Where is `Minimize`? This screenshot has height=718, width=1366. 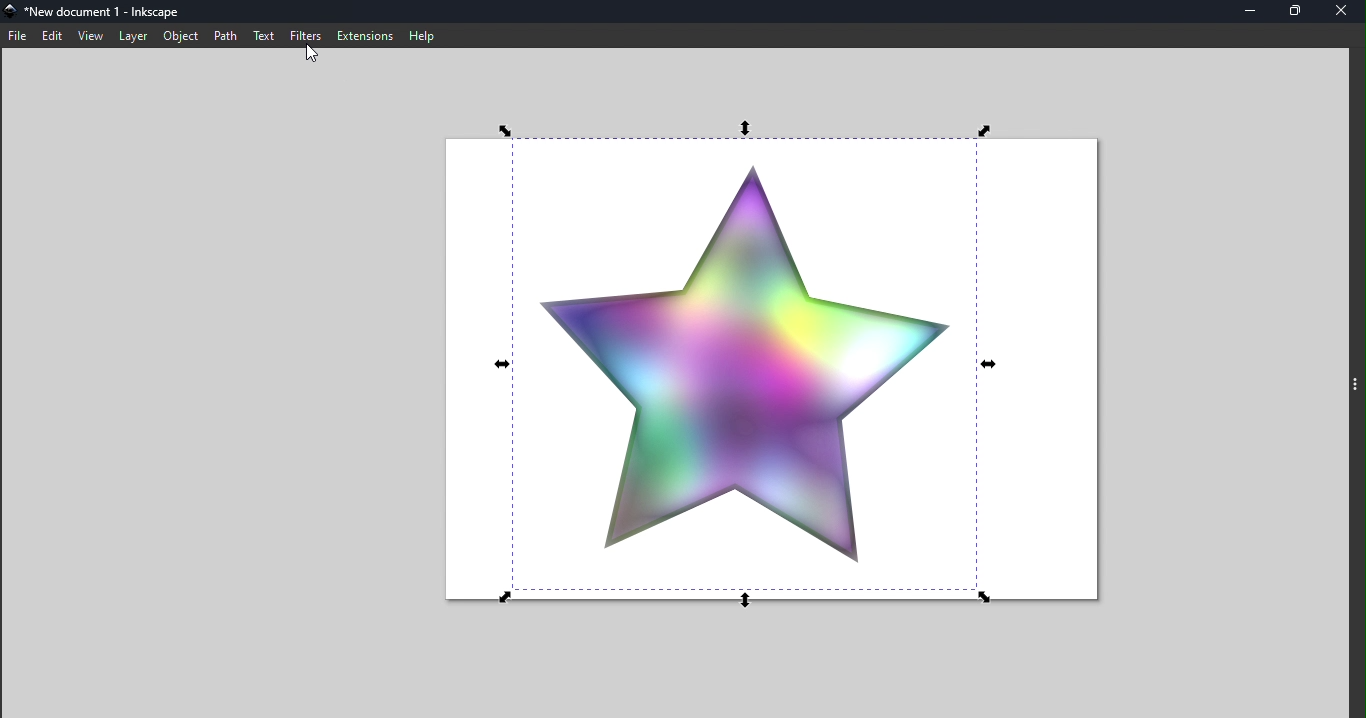
Minimize is located at coordinates (1245, 12).